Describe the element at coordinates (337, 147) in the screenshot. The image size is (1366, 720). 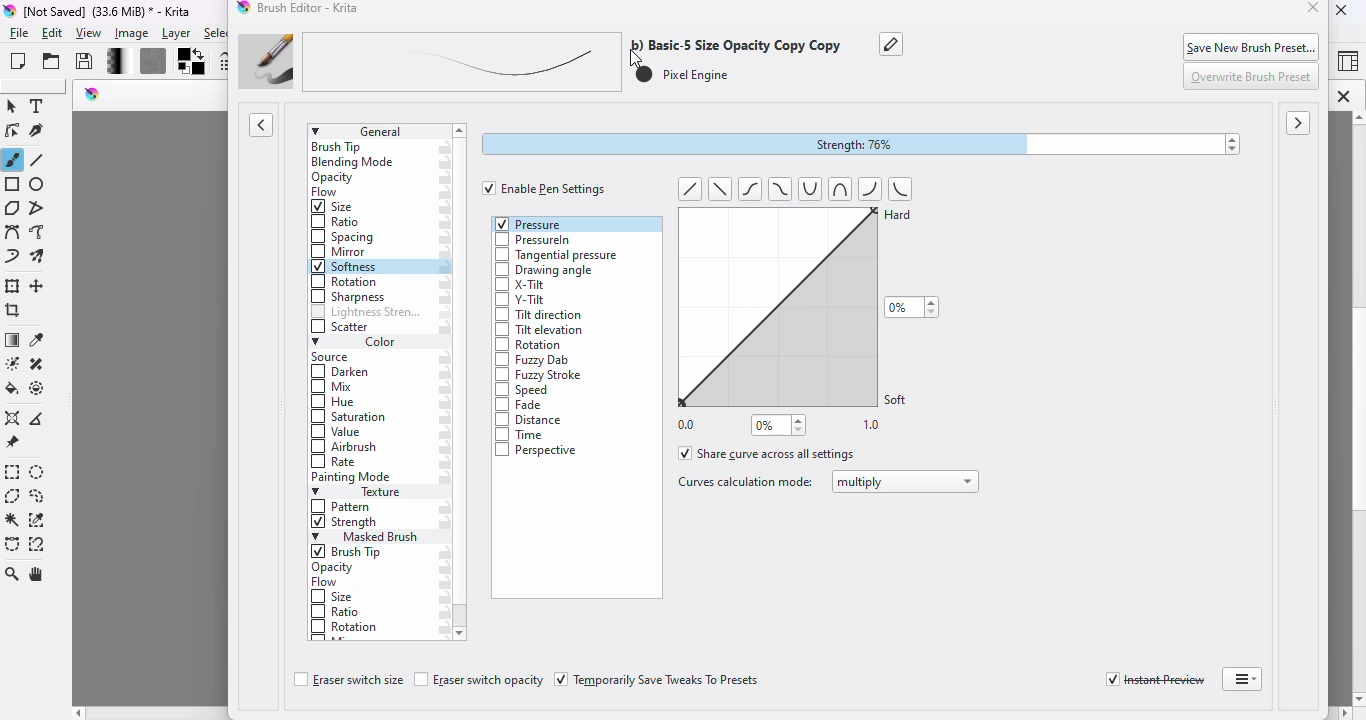
I see `brush tip` at that location.